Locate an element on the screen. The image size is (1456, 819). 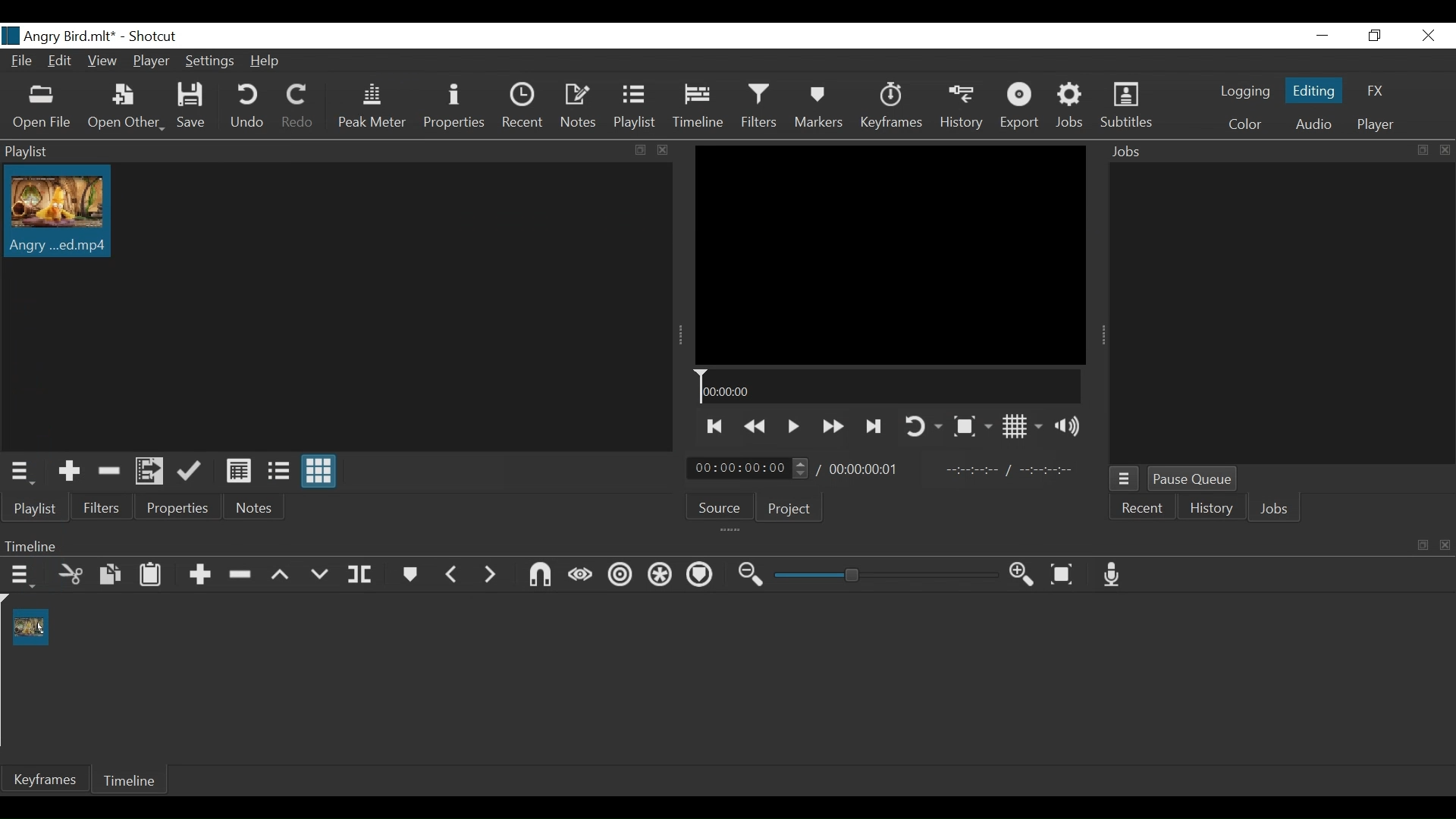
Skip to the next point is located at coordinates (712, 428).